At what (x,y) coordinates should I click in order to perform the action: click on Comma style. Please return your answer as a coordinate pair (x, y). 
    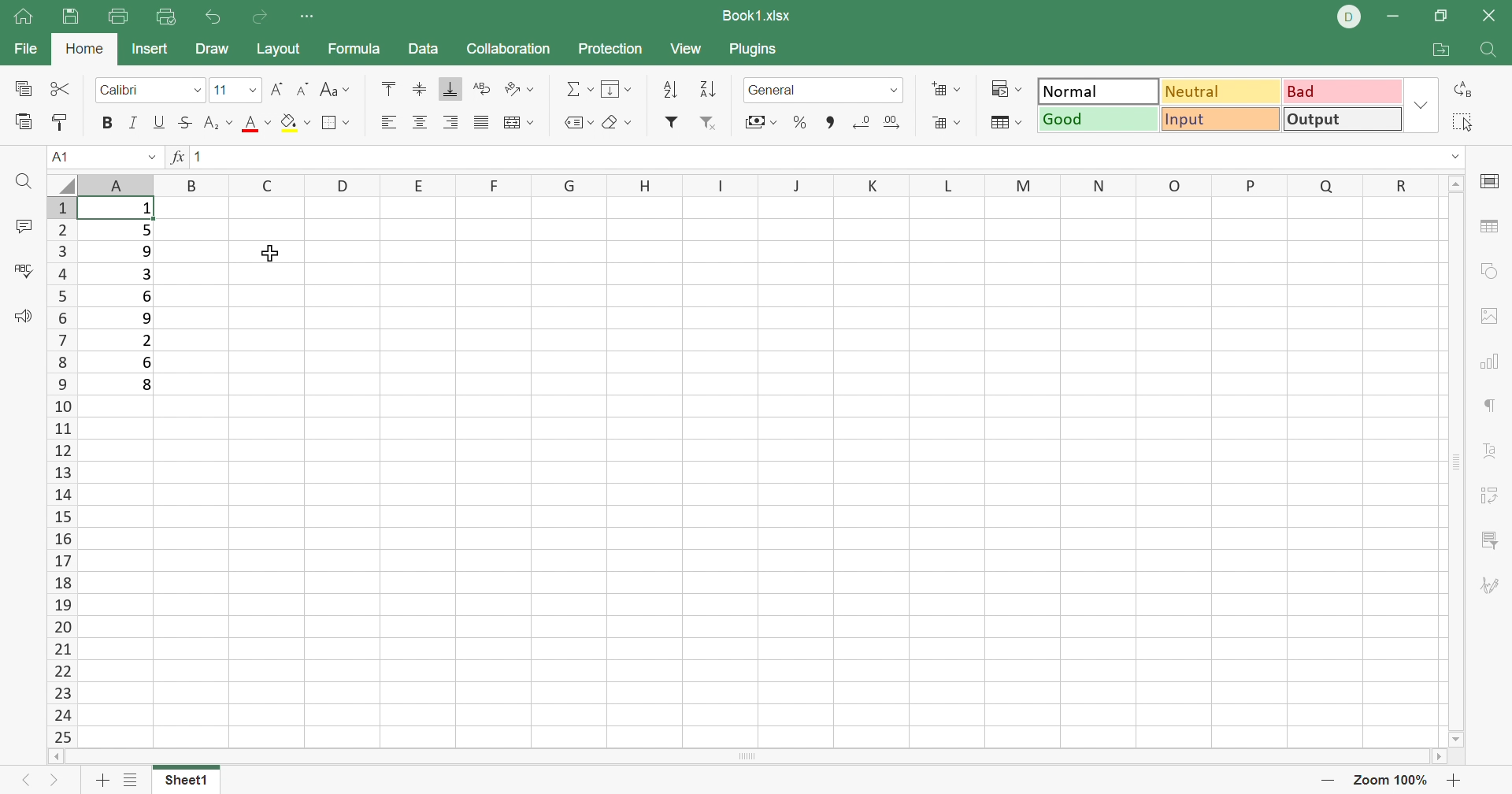
    Looking at the image, I should click on (827, 123).